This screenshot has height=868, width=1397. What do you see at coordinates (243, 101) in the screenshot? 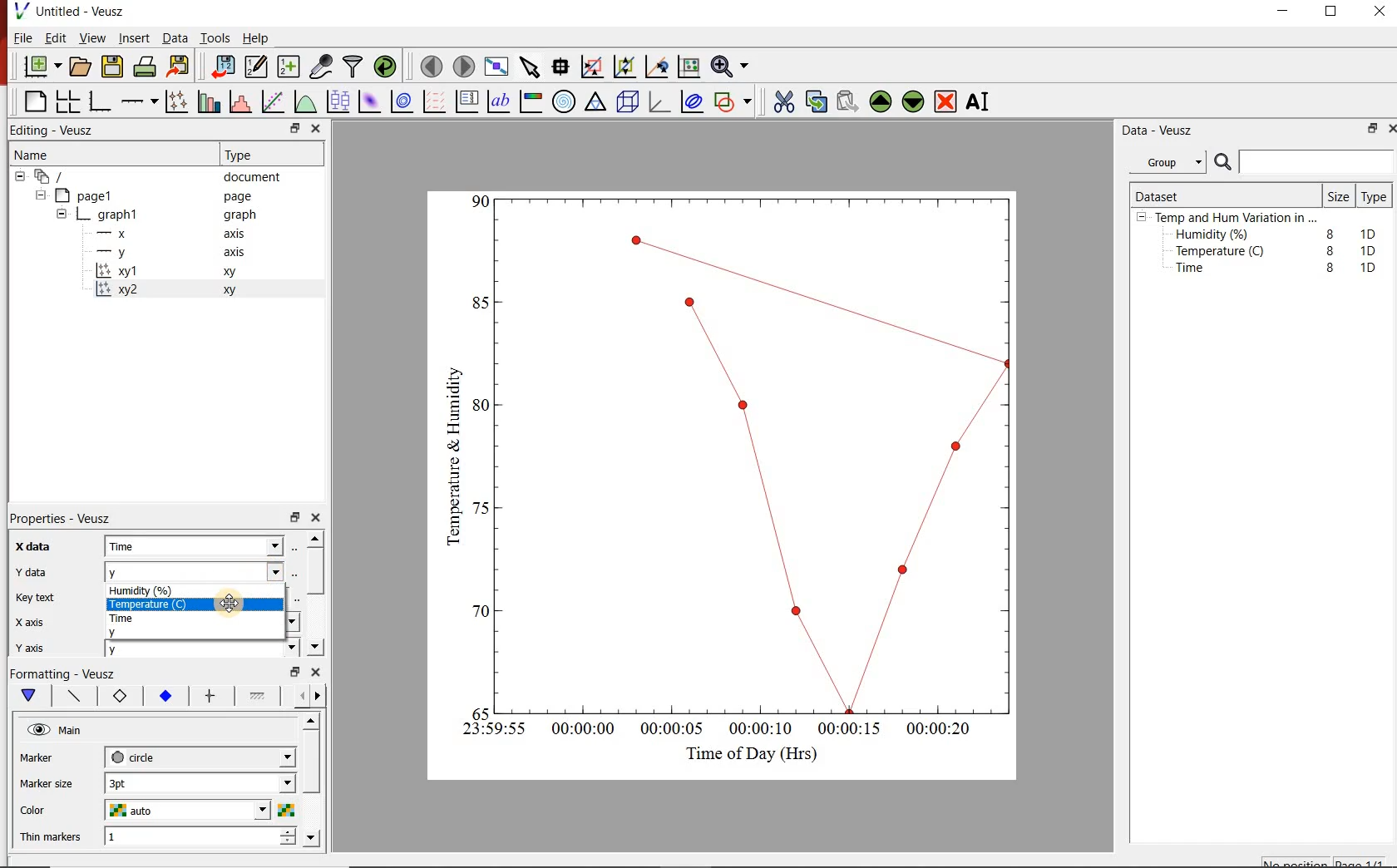
I see `histogram of a dataset` at bounding box center [243, 101].